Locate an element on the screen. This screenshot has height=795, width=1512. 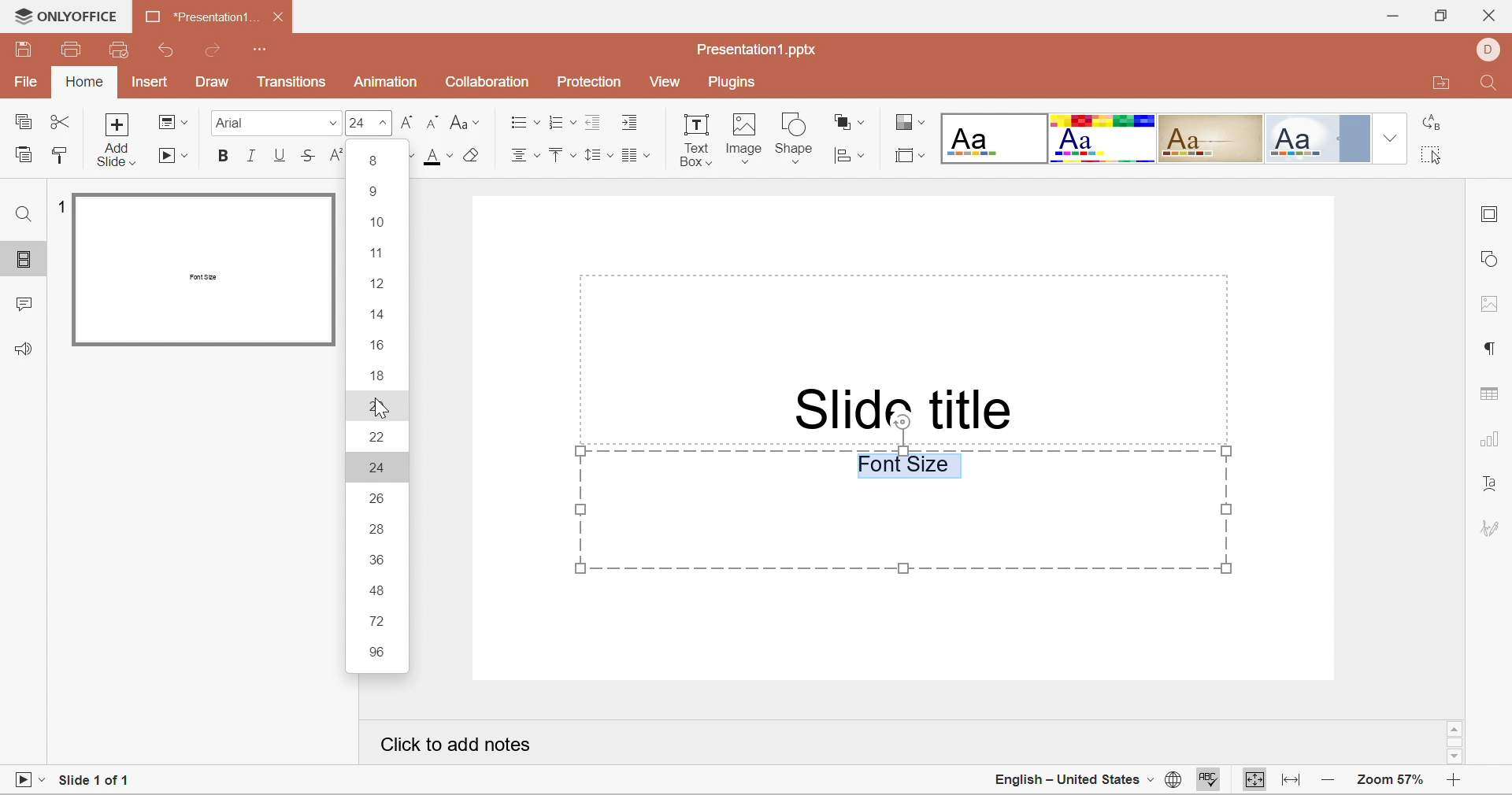
Slide is located at coordinates (206, 269).